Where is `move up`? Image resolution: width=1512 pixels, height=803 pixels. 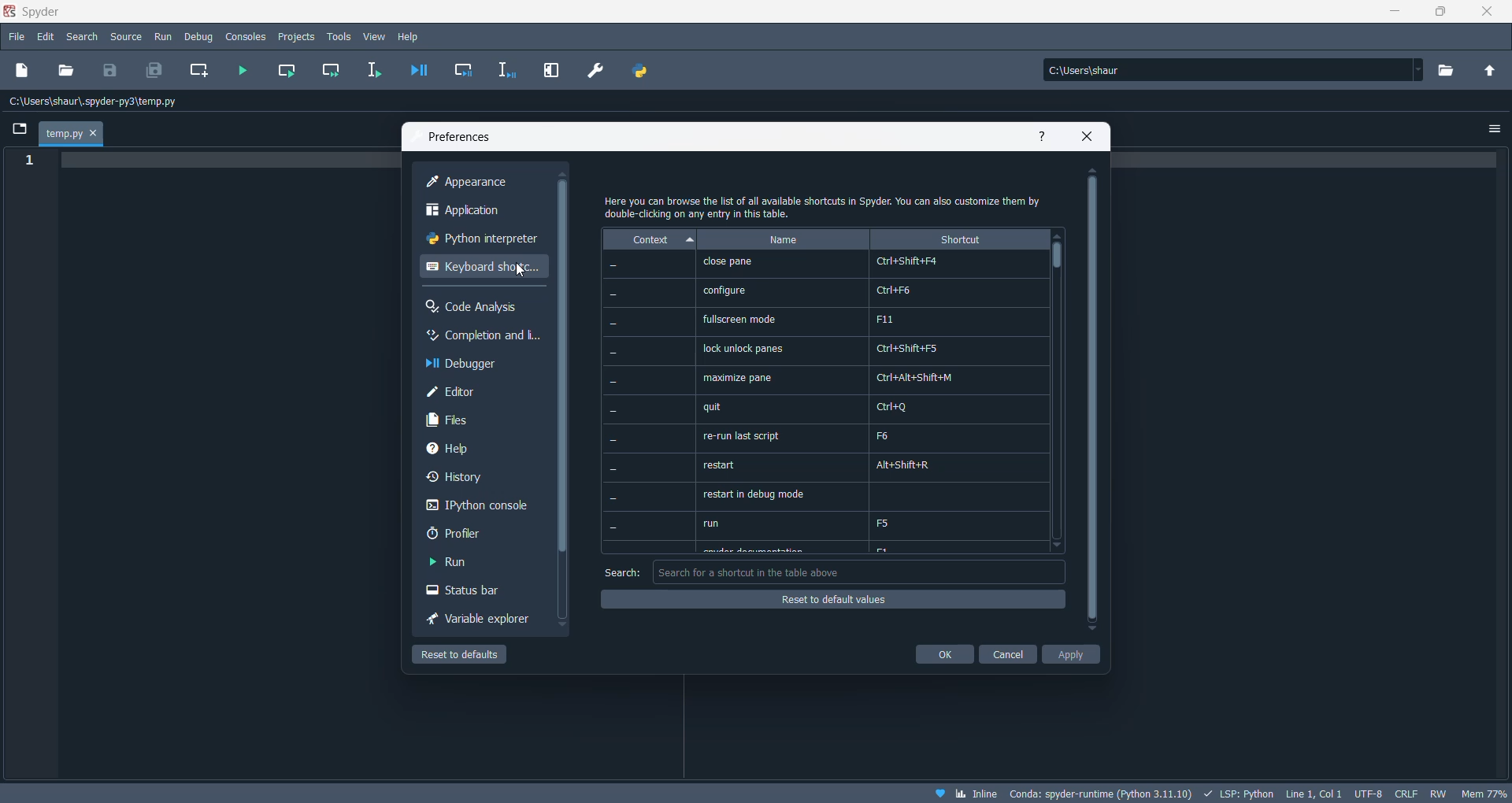
move up is located at coordinates (564, 173).